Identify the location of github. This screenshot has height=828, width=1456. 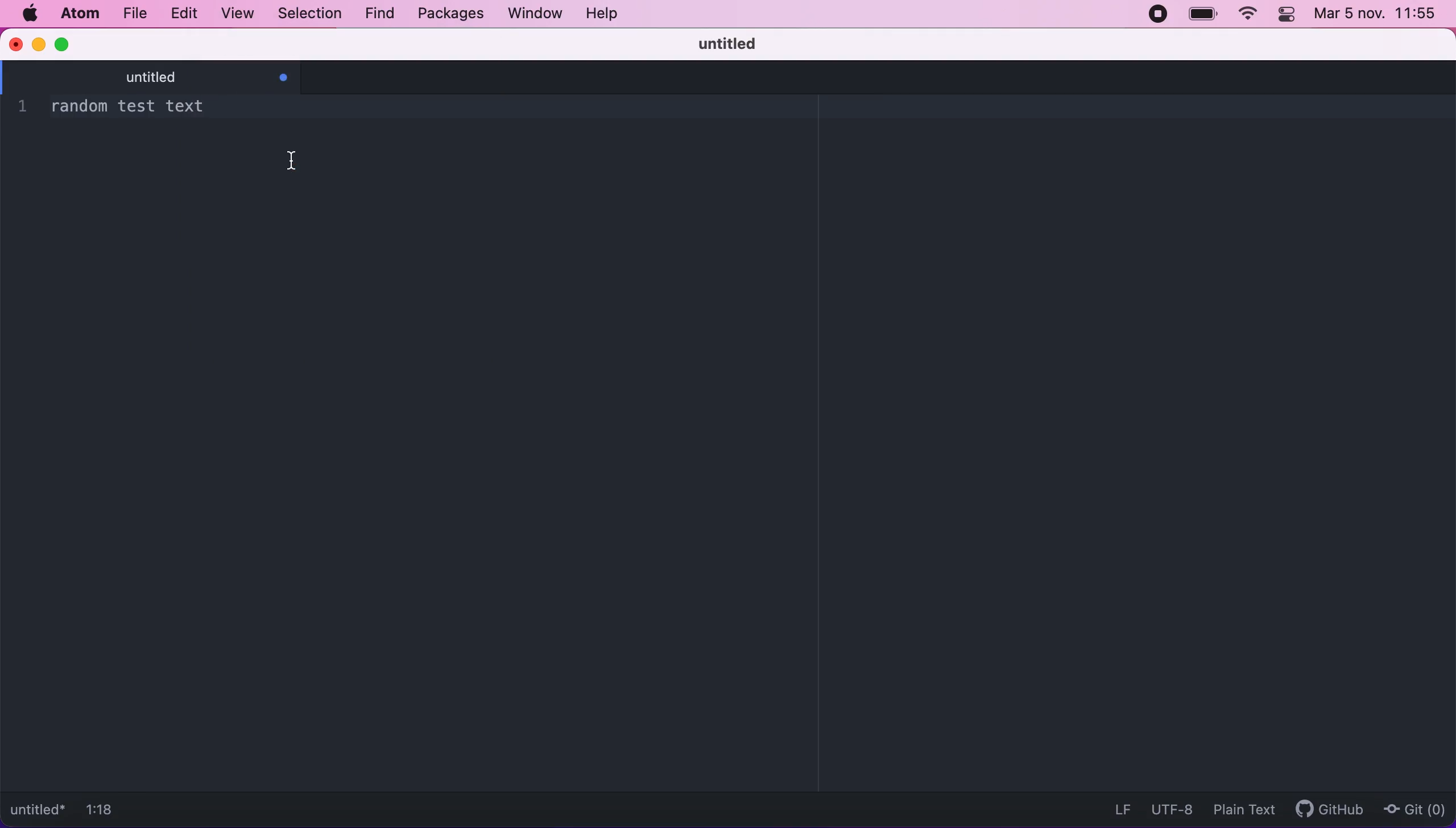
(1330, 808).